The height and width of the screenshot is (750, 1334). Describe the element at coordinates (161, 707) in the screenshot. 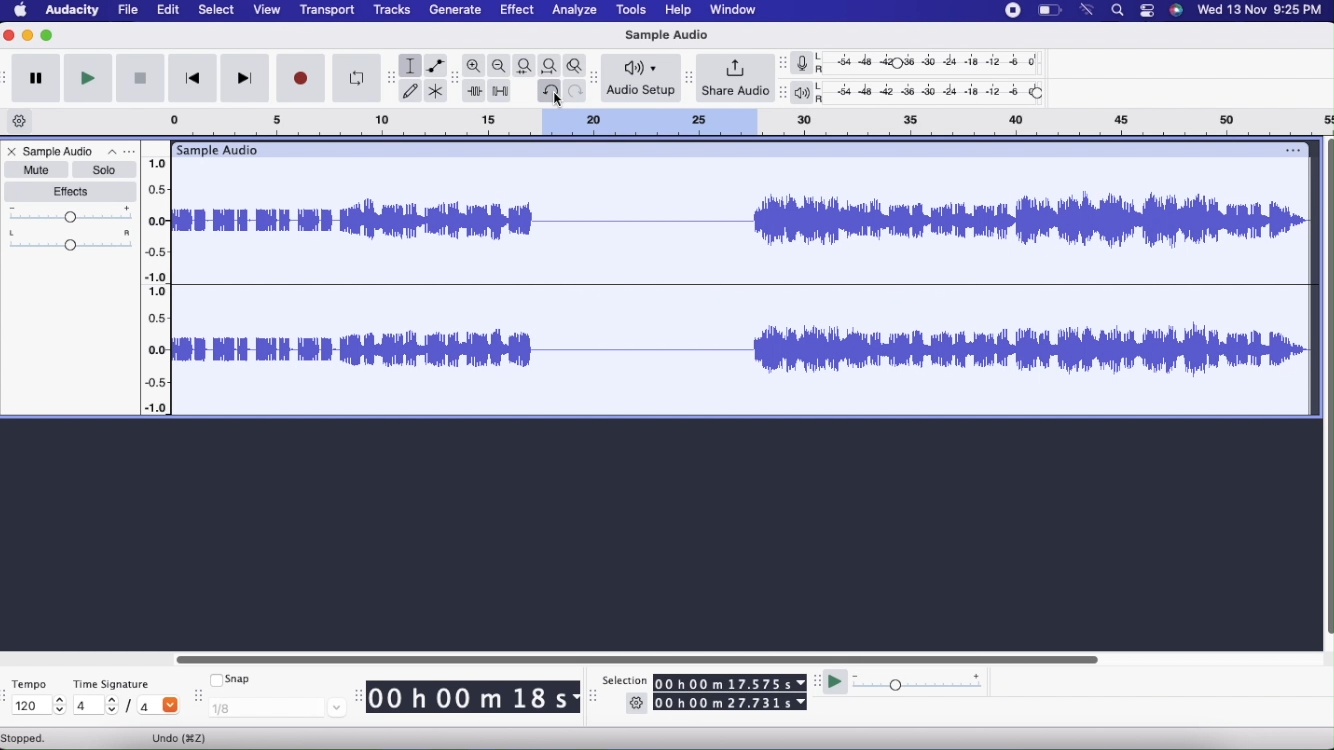

I see `4` at that location.